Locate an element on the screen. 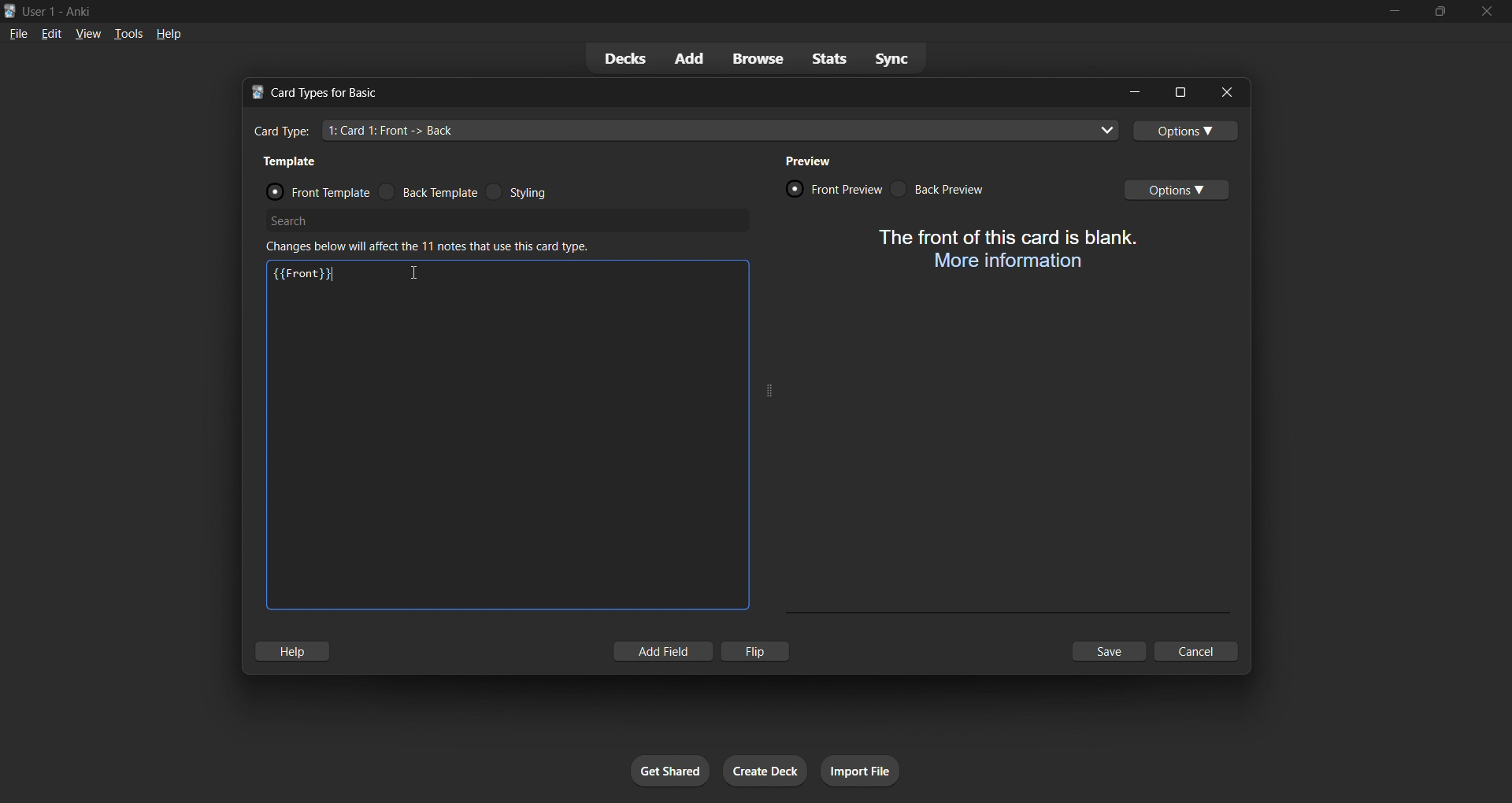 Image resolution: width=1512 pixels, height=803 pixels. close is located at coordinates (1487, 12).